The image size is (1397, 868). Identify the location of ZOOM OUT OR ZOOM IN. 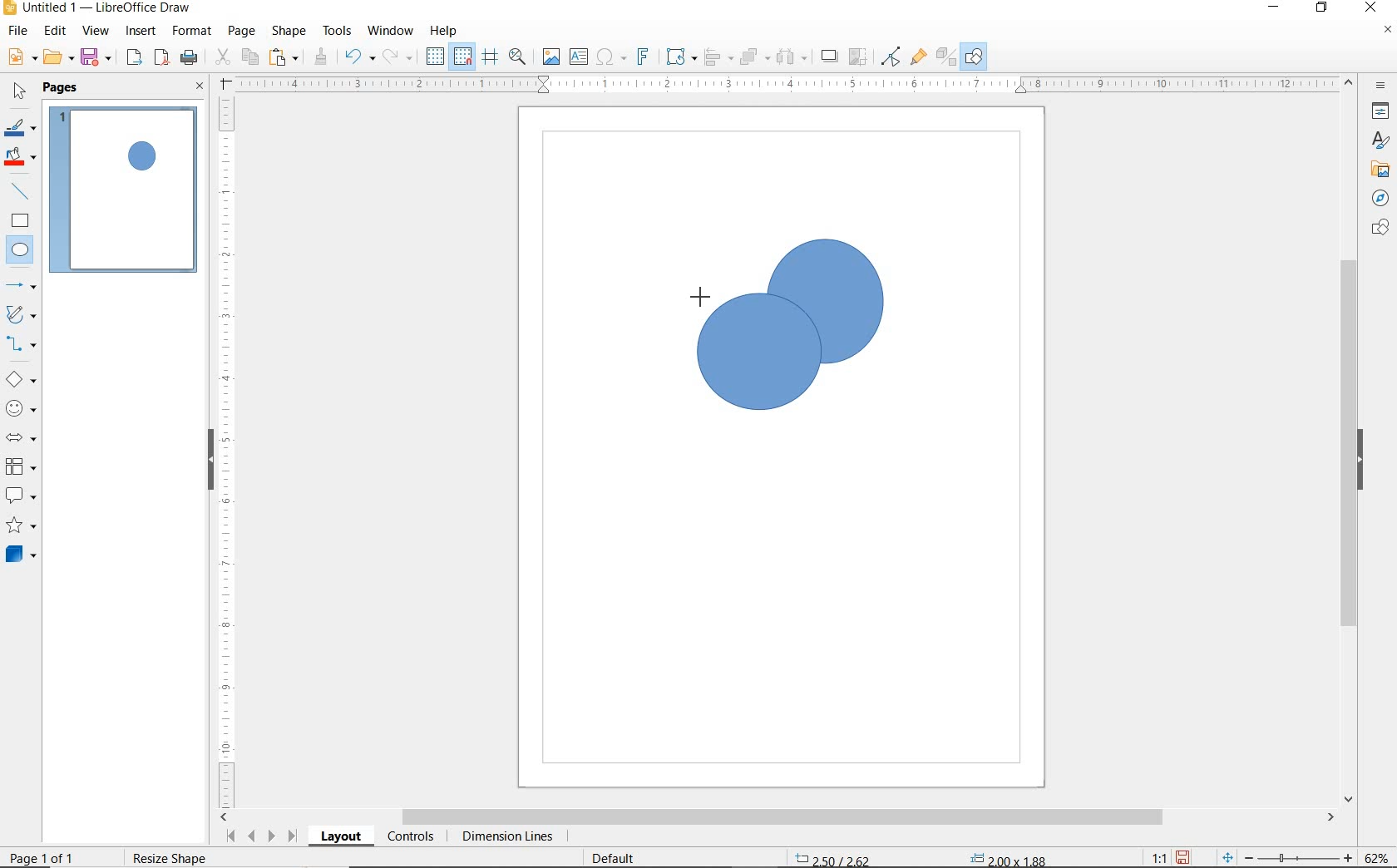
(1287, 858).